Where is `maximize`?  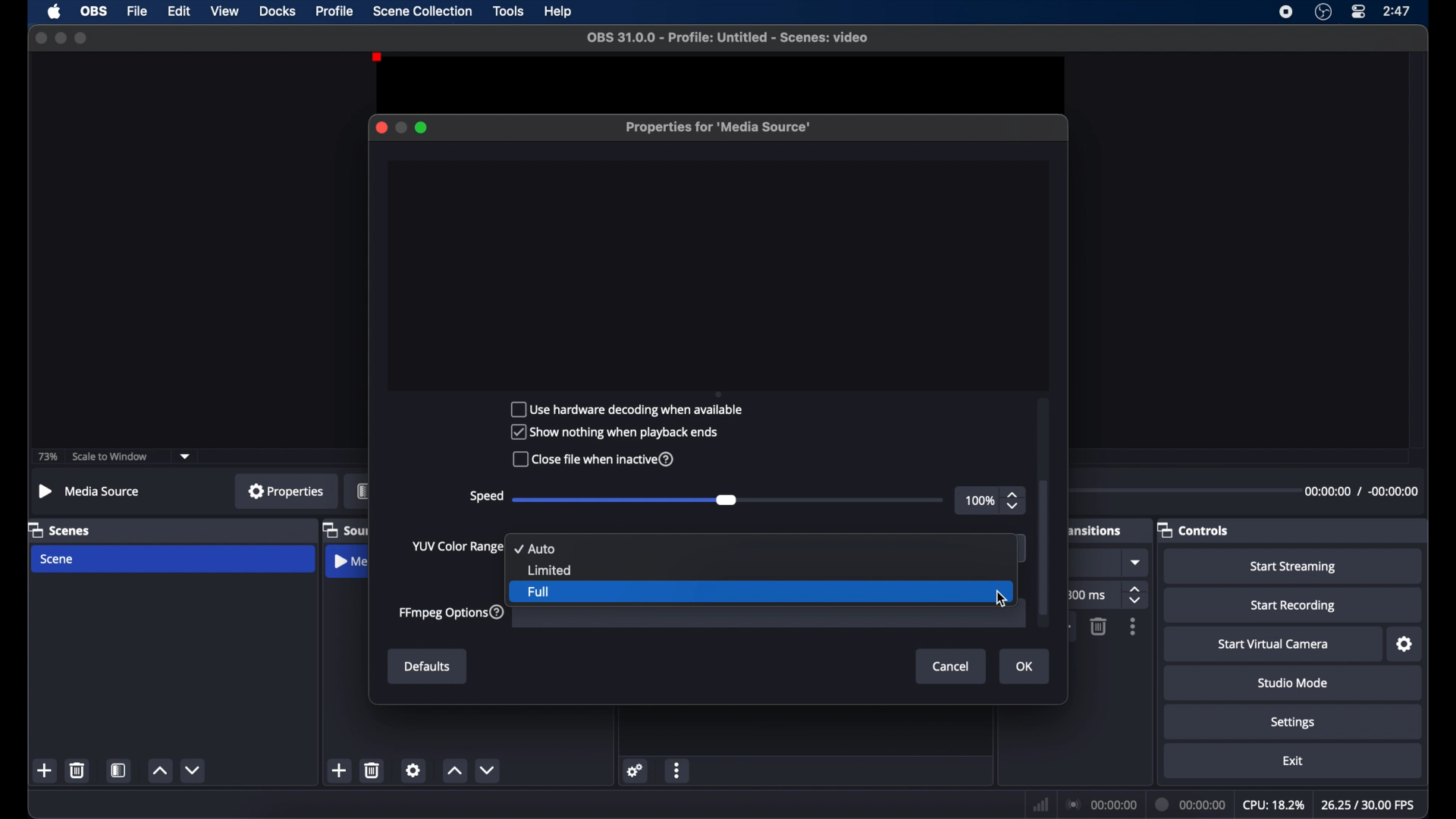 maximize is located at coordinates (82, 39).